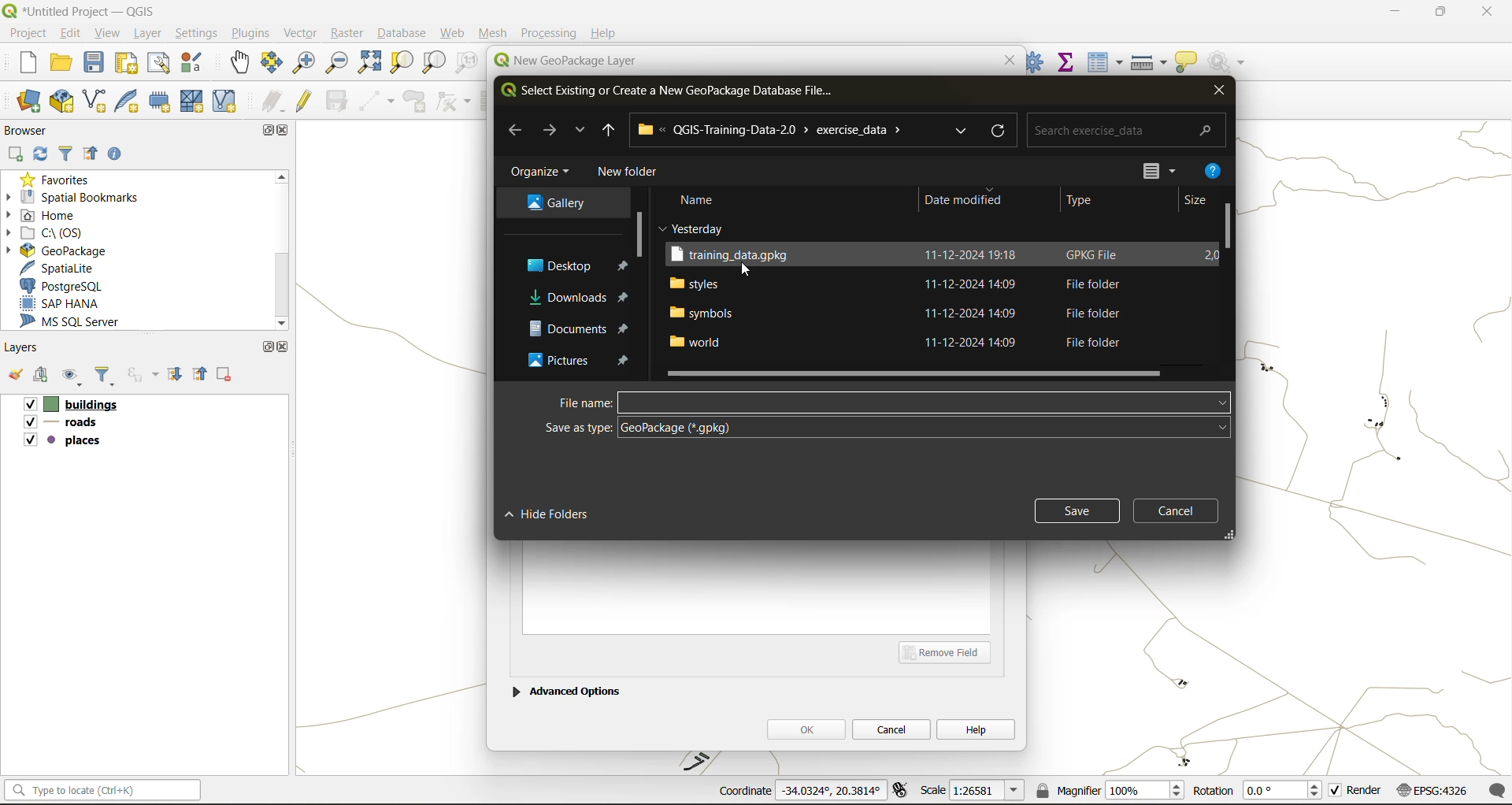  Describe the element at coordinates (302, 61) in the screenshot. I see `zoom in` at that location.